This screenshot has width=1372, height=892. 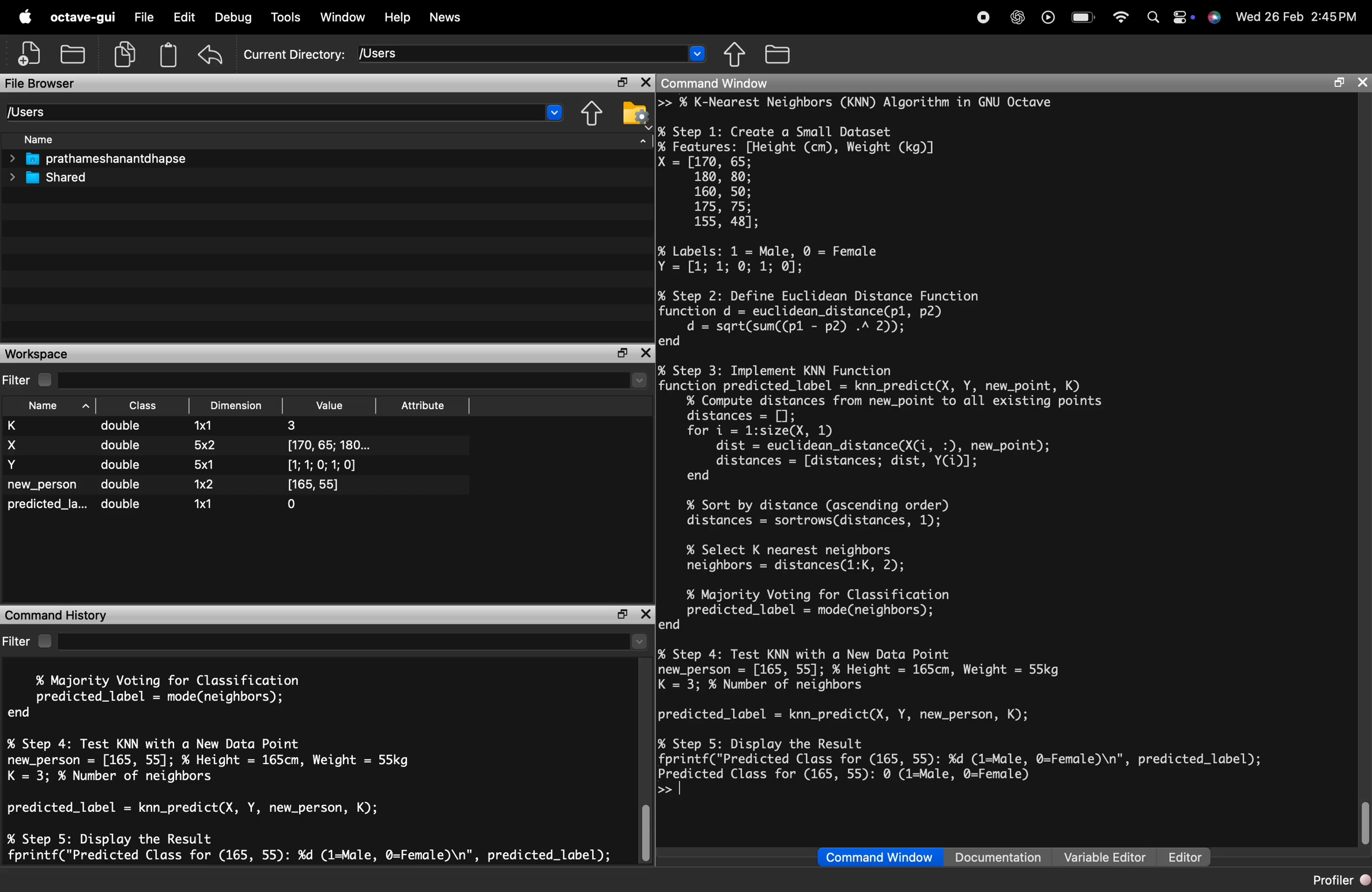 I want to click on close, so click(x=646, y=351).